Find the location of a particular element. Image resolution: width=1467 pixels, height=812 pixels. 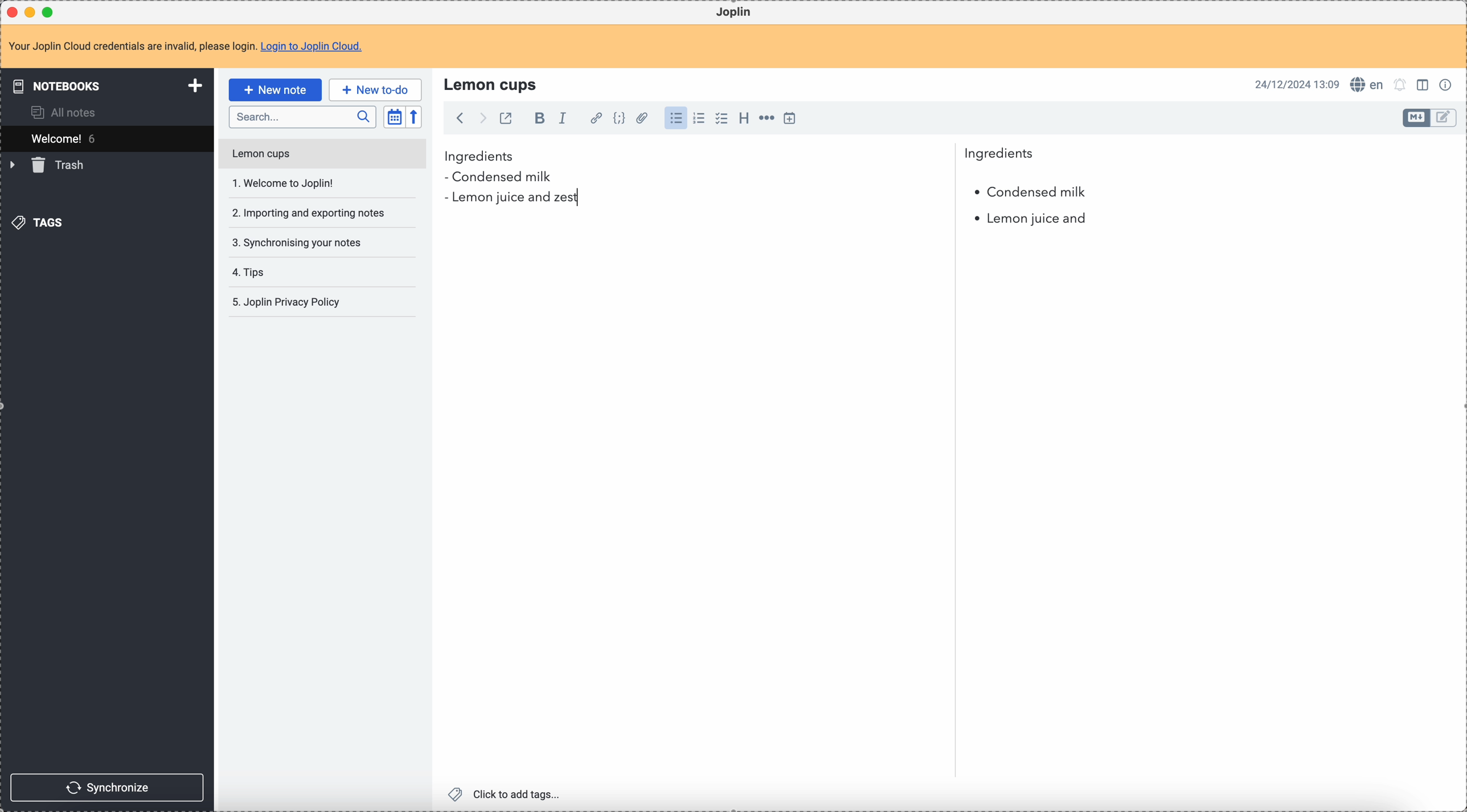

maximize is located at coordinates (51, 11).